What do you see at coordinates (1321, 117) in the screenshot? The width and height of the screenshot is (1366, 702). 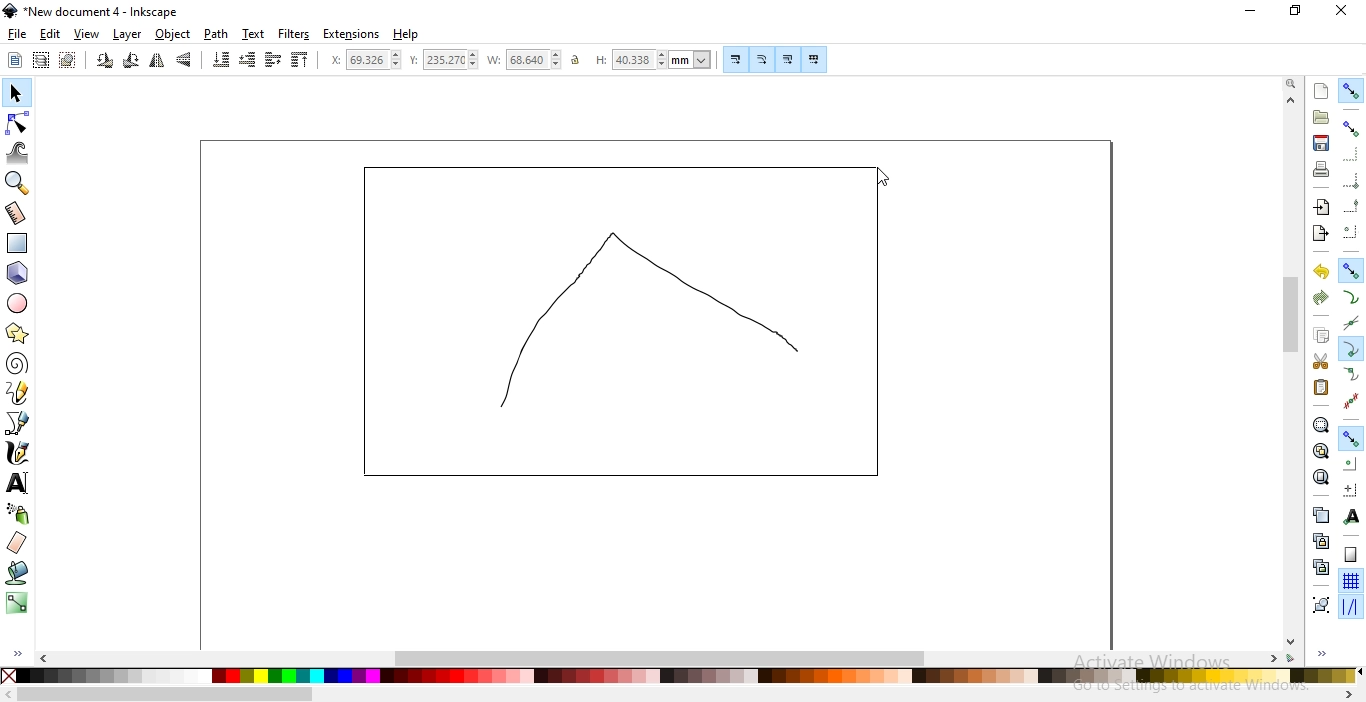 I see `open an existing document` at bounding box center [1321, 117].